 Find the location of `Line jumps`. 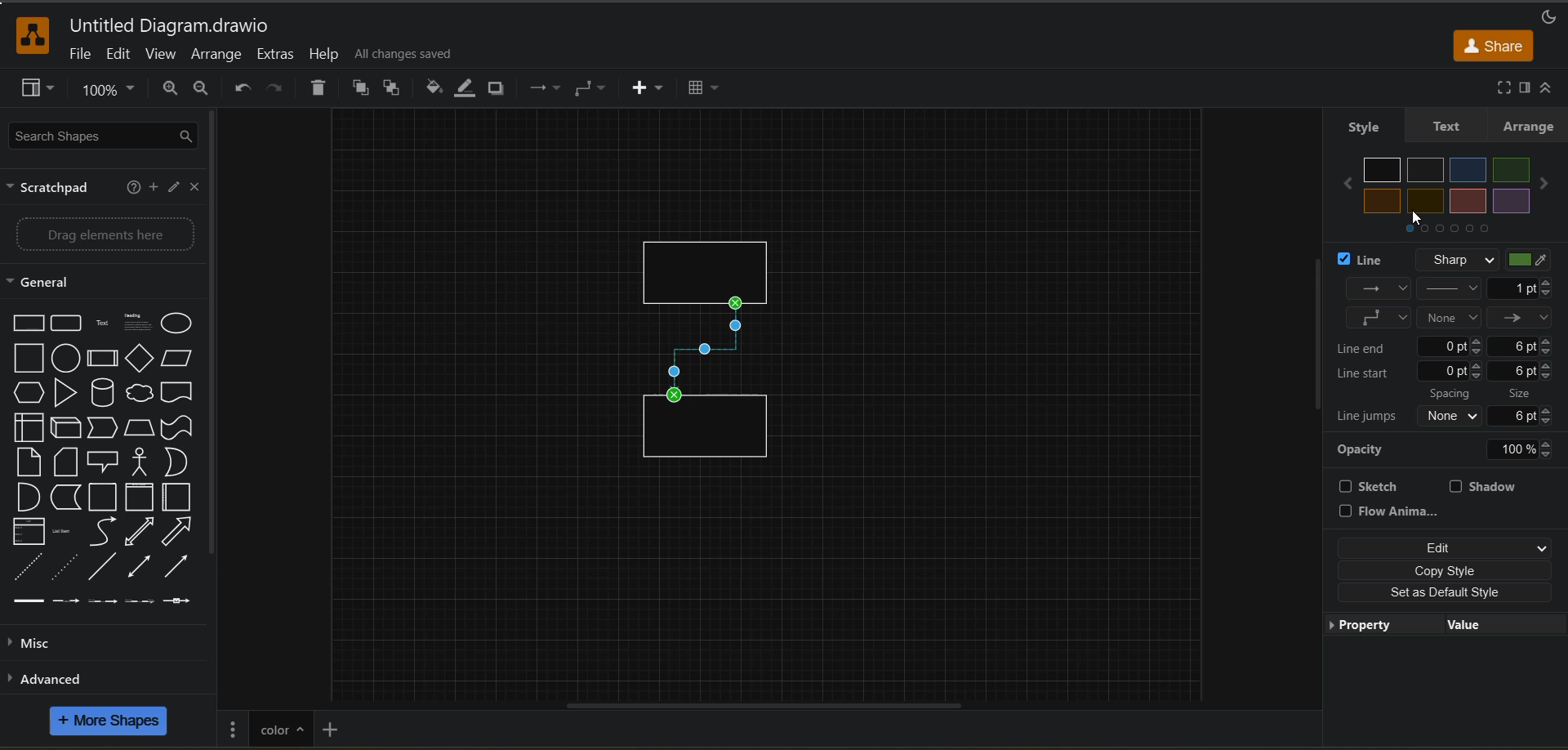

Line jumps is located at coordinates (1367, 417).